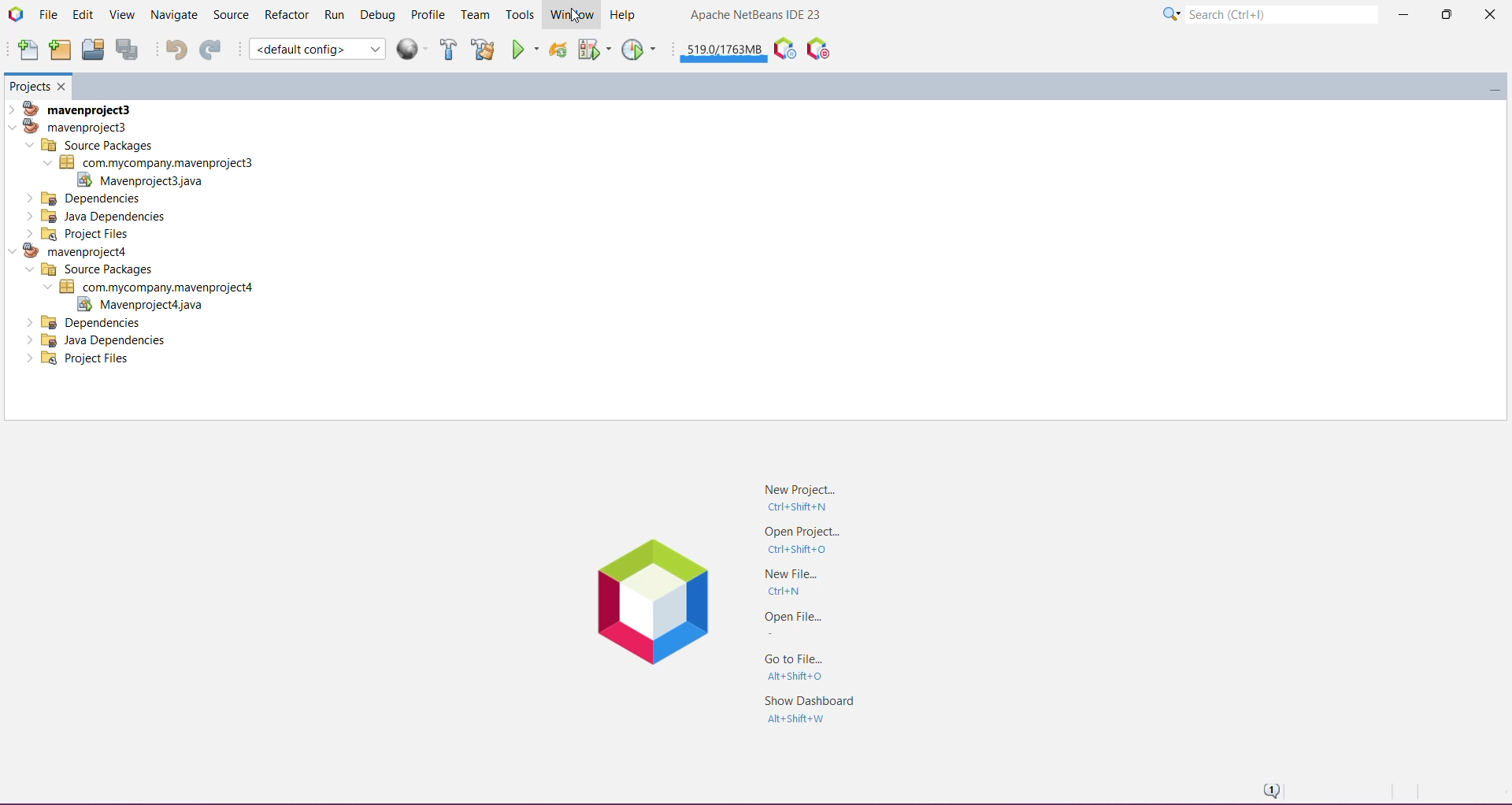 The height and width of the screenshot is (805, 1512). I want to click on Run, so click(335, 14).